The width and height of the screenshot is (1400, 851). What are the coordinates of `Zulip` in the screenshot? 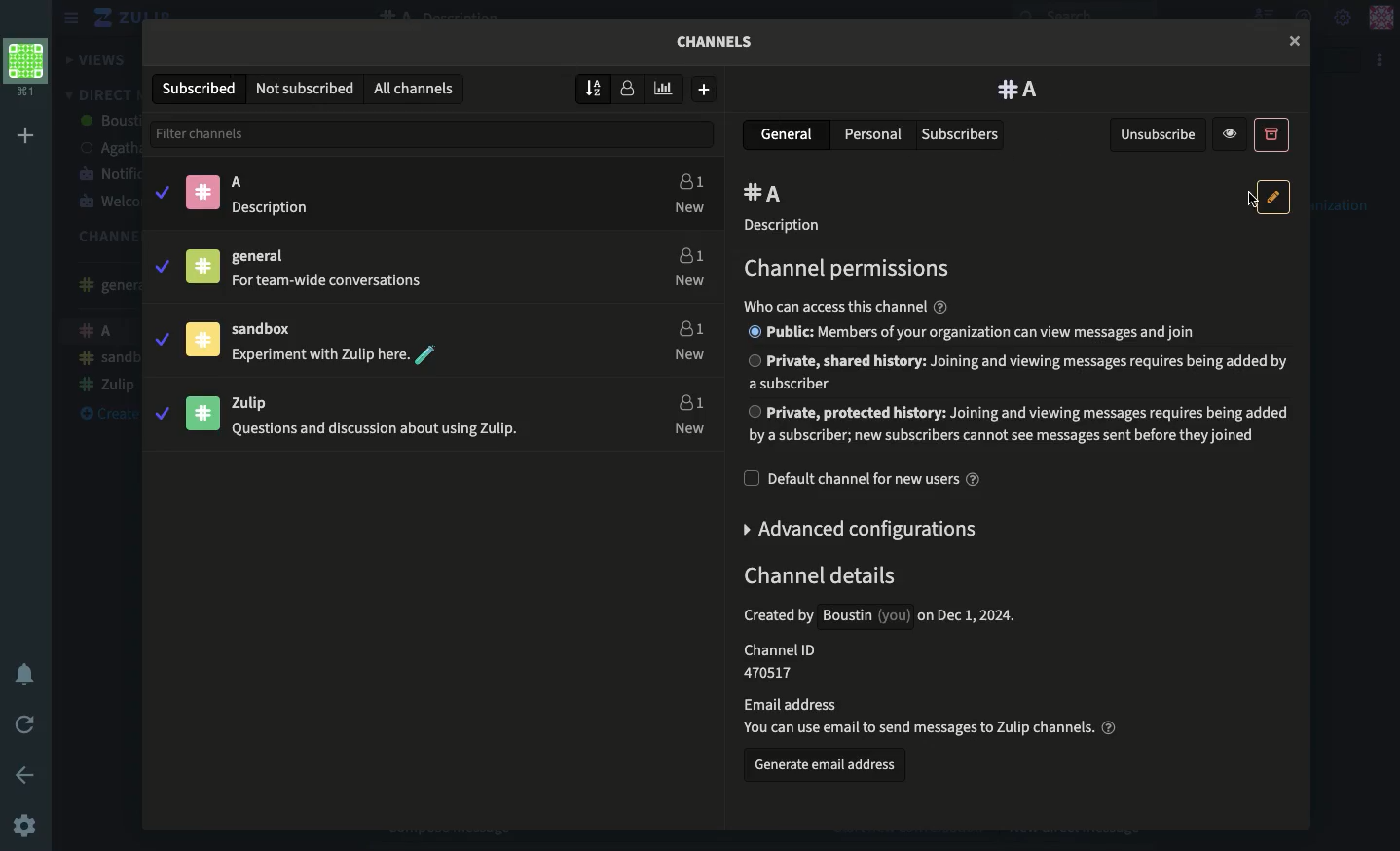 It's located at (330, 414).